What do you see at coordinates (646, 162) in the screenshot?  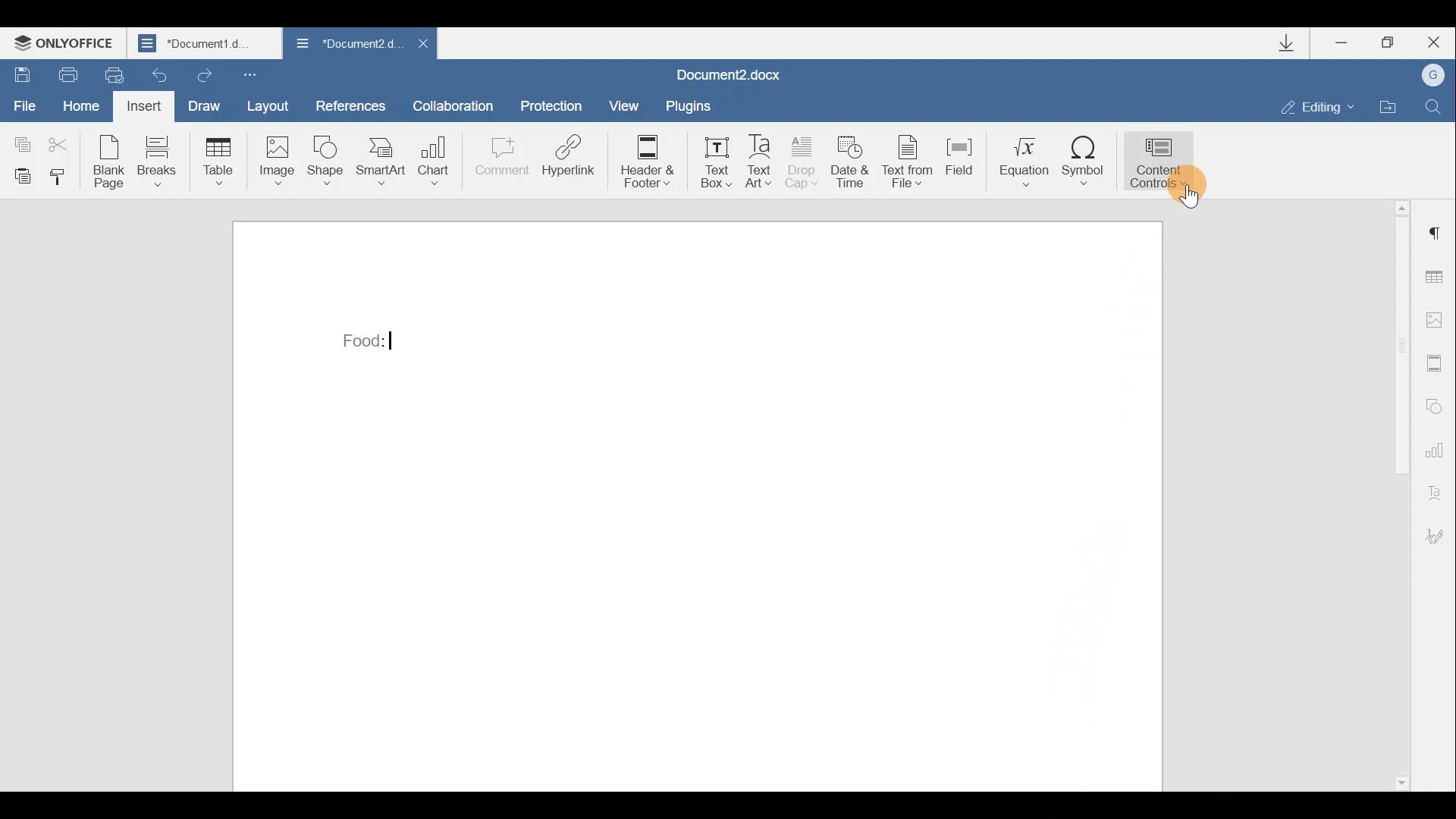 I see `Header & footer` at bounding box center [646, 162].